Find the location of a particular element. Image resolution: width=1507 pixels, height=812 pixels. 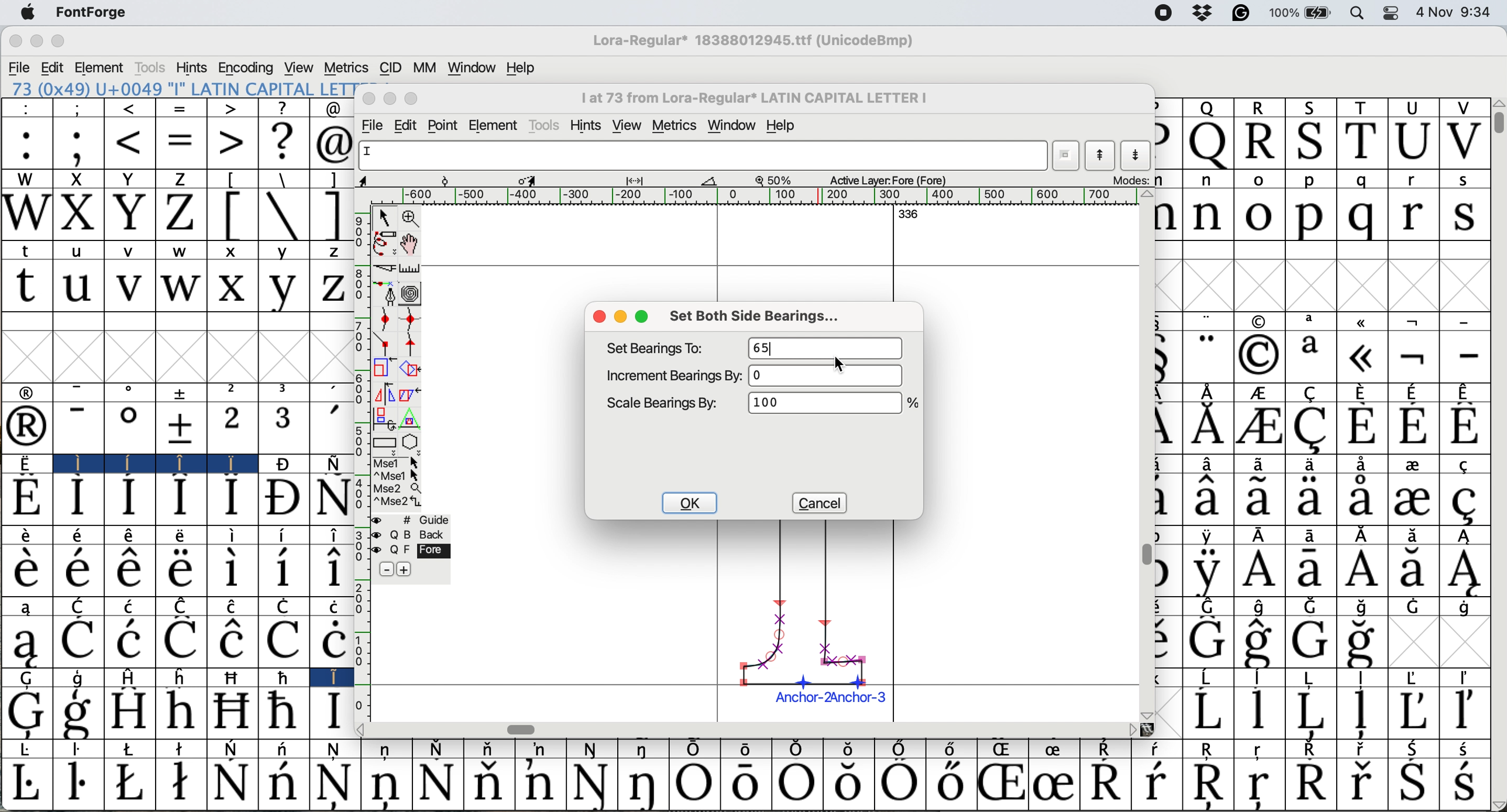

Symbol is located at coordinates (229, 782).